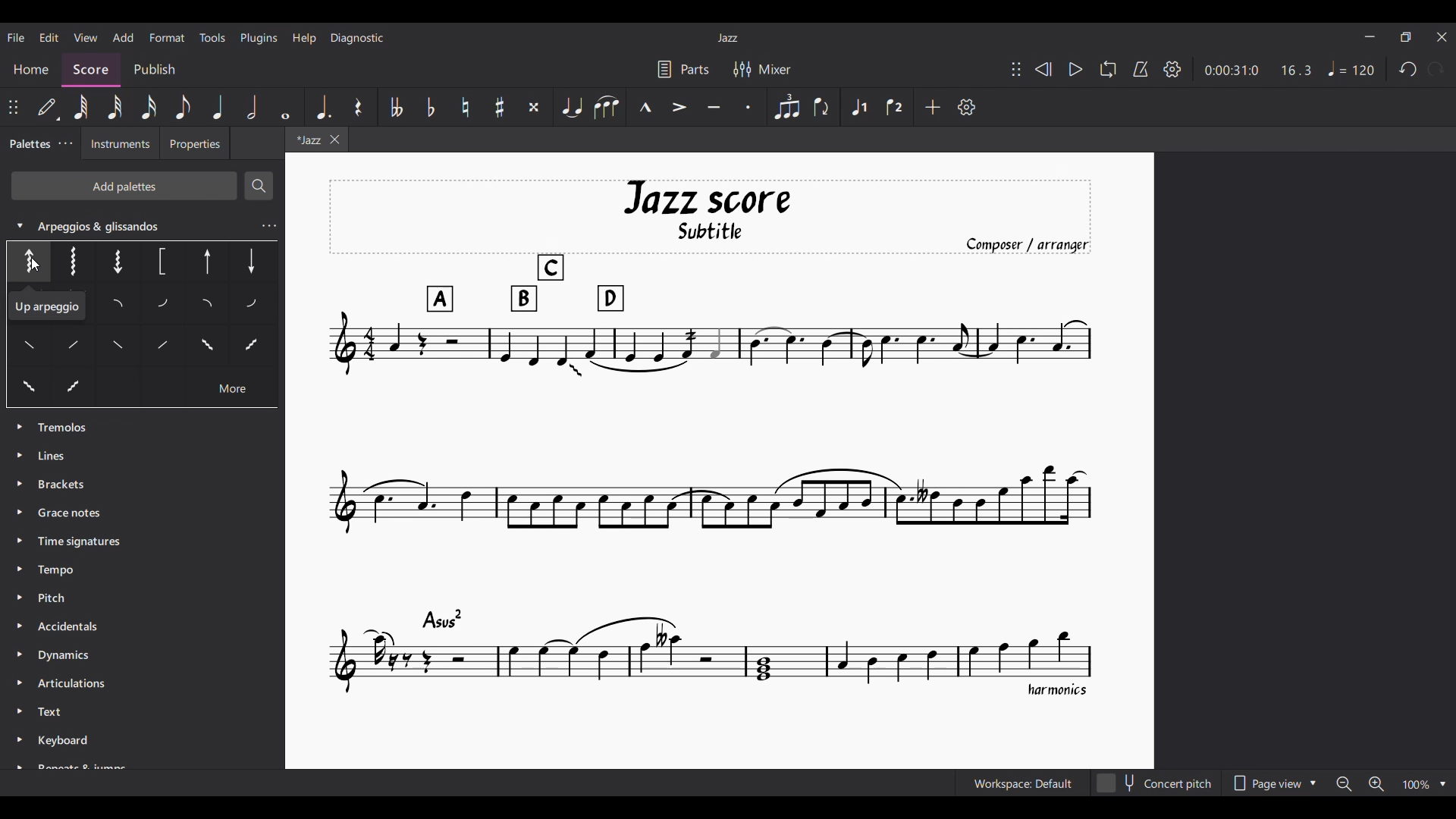 This screenshot has width=1456, height=819. What do you see at coordinates (74, 515) in the screenshot?
I see `Grace Notes` at bounding box center [74, 515].